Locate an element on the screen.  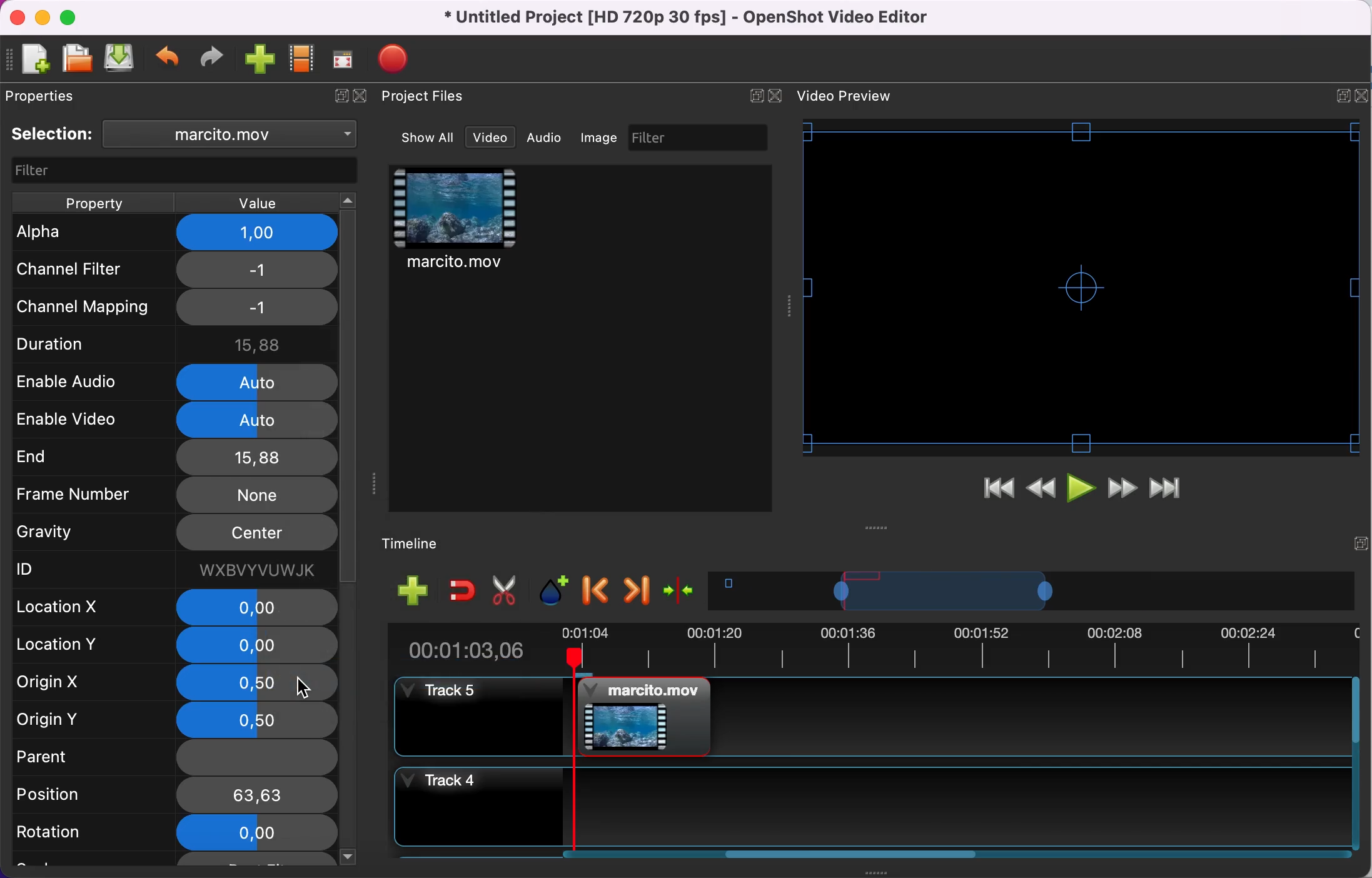
center the timeline is located at coordinates (682, 589).